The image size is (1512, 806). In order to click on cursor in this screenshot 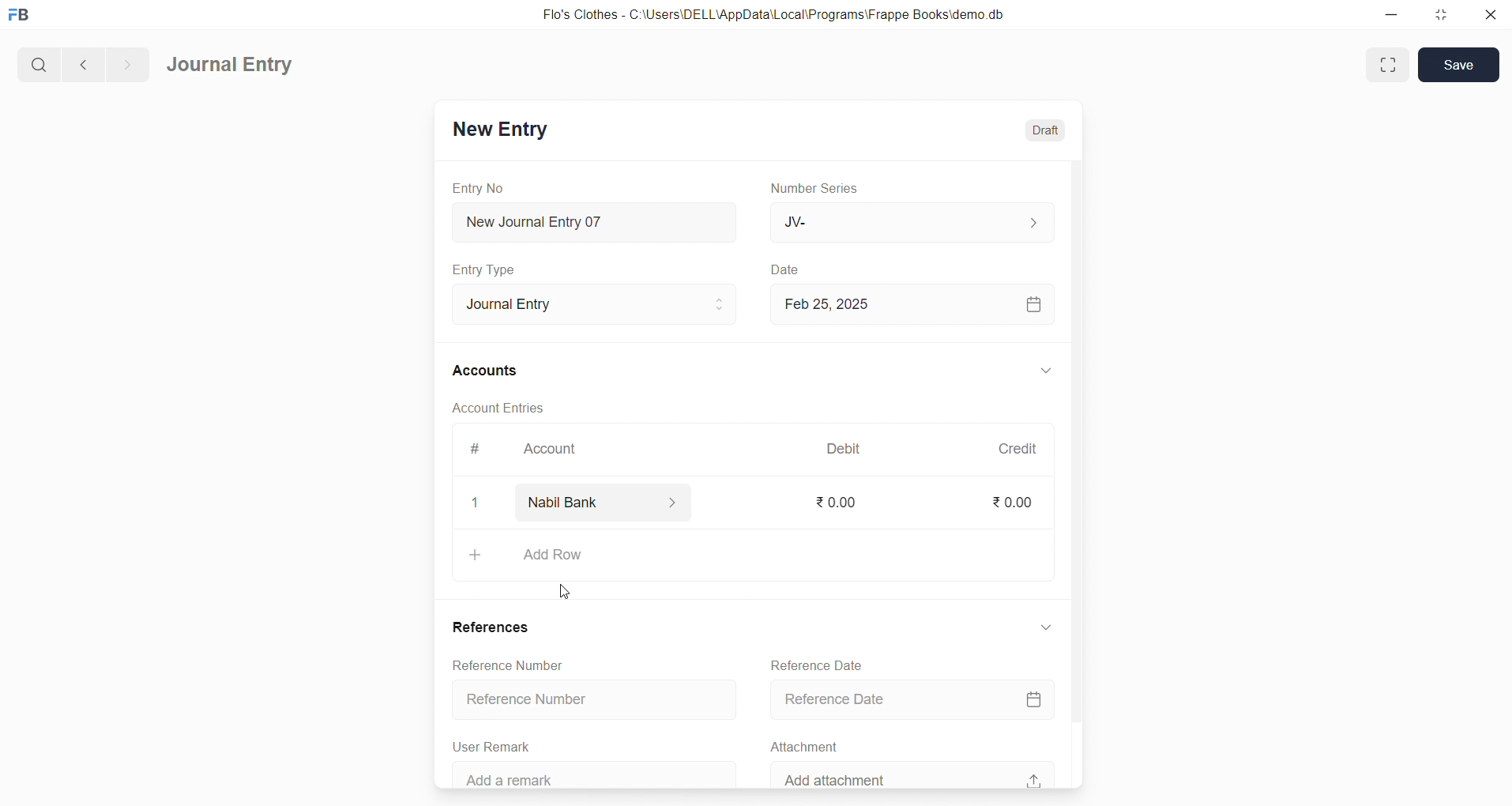, I will do `click(568, 587)`.